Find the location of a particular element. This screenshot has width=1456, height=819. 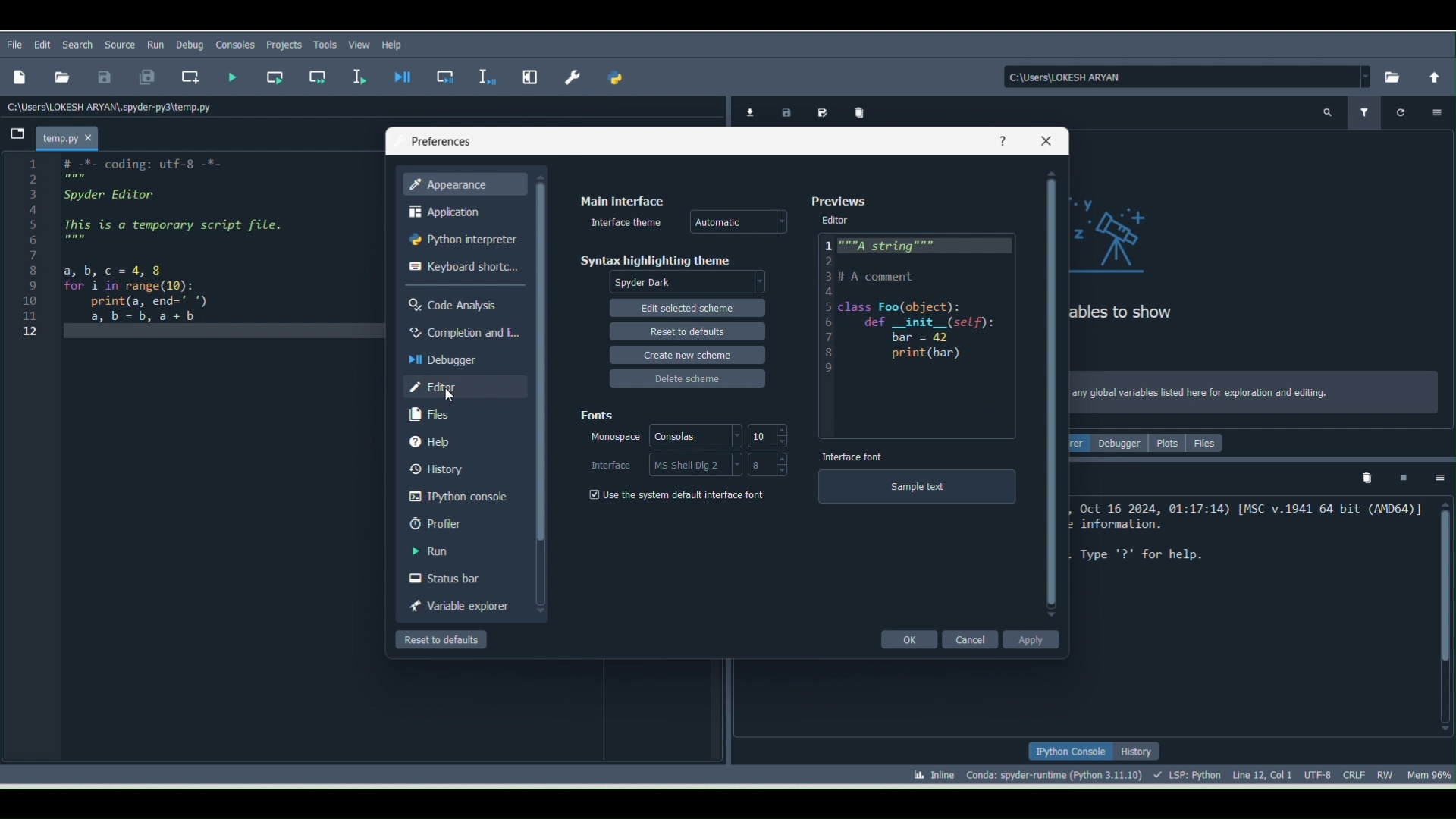

Run current cell( Ctrl + Return) is located at coordinates (274, 74).